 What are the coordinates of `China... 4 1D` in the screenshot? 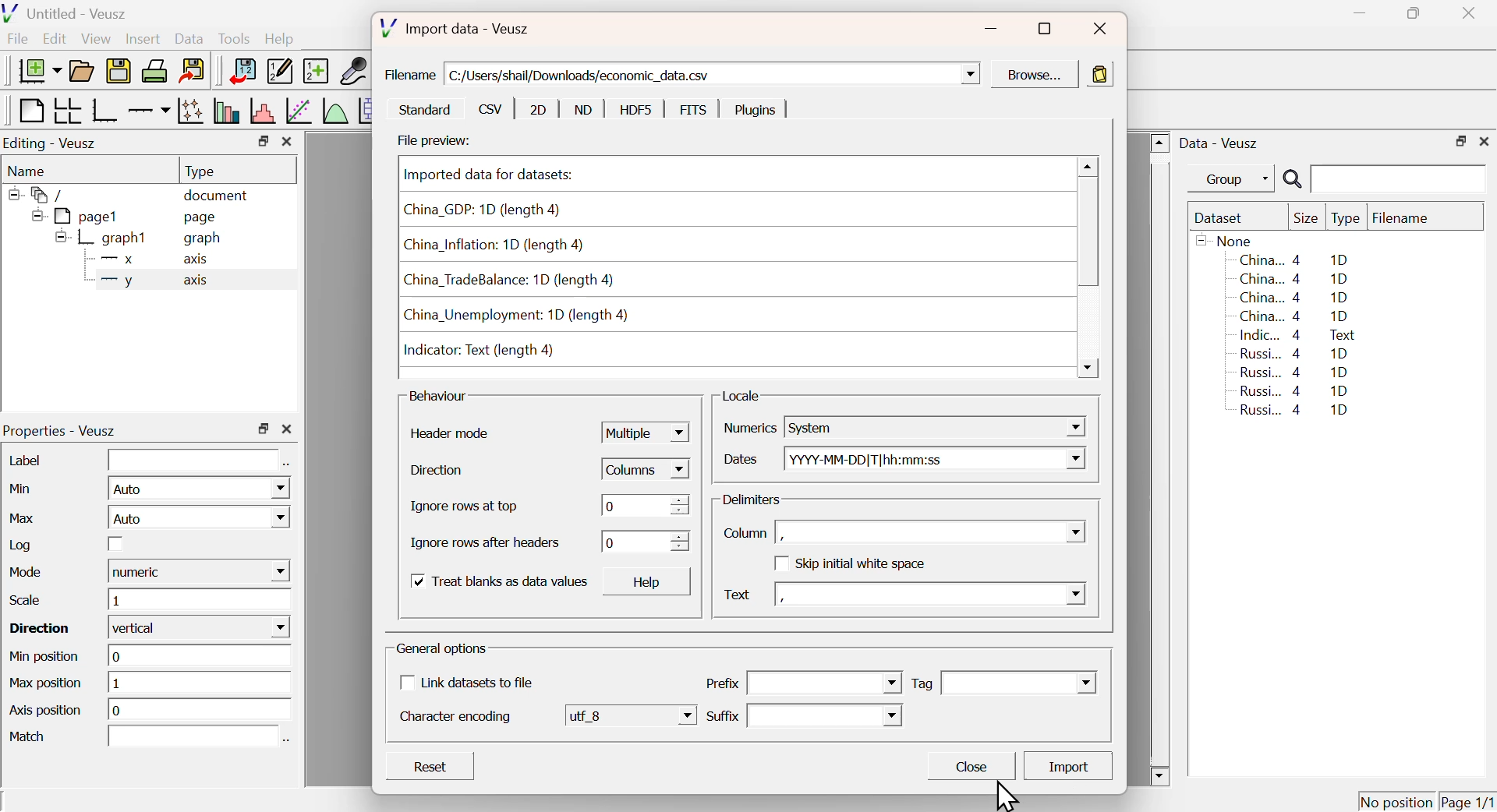 It's located at (1297, 278).